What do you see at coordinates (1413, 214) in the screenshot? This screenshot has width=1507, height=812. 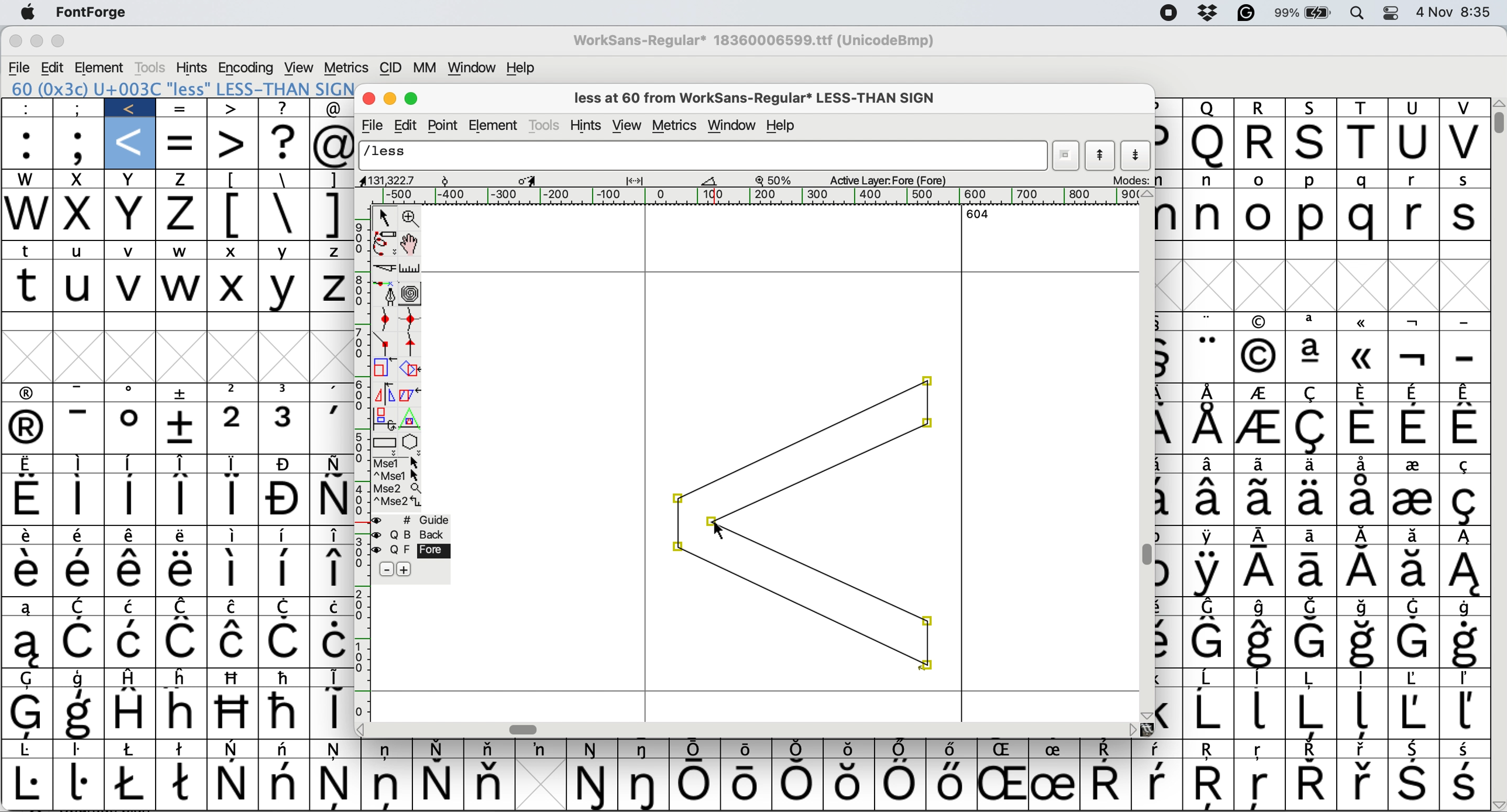 I see `r` at bounding box center [1413, 214].